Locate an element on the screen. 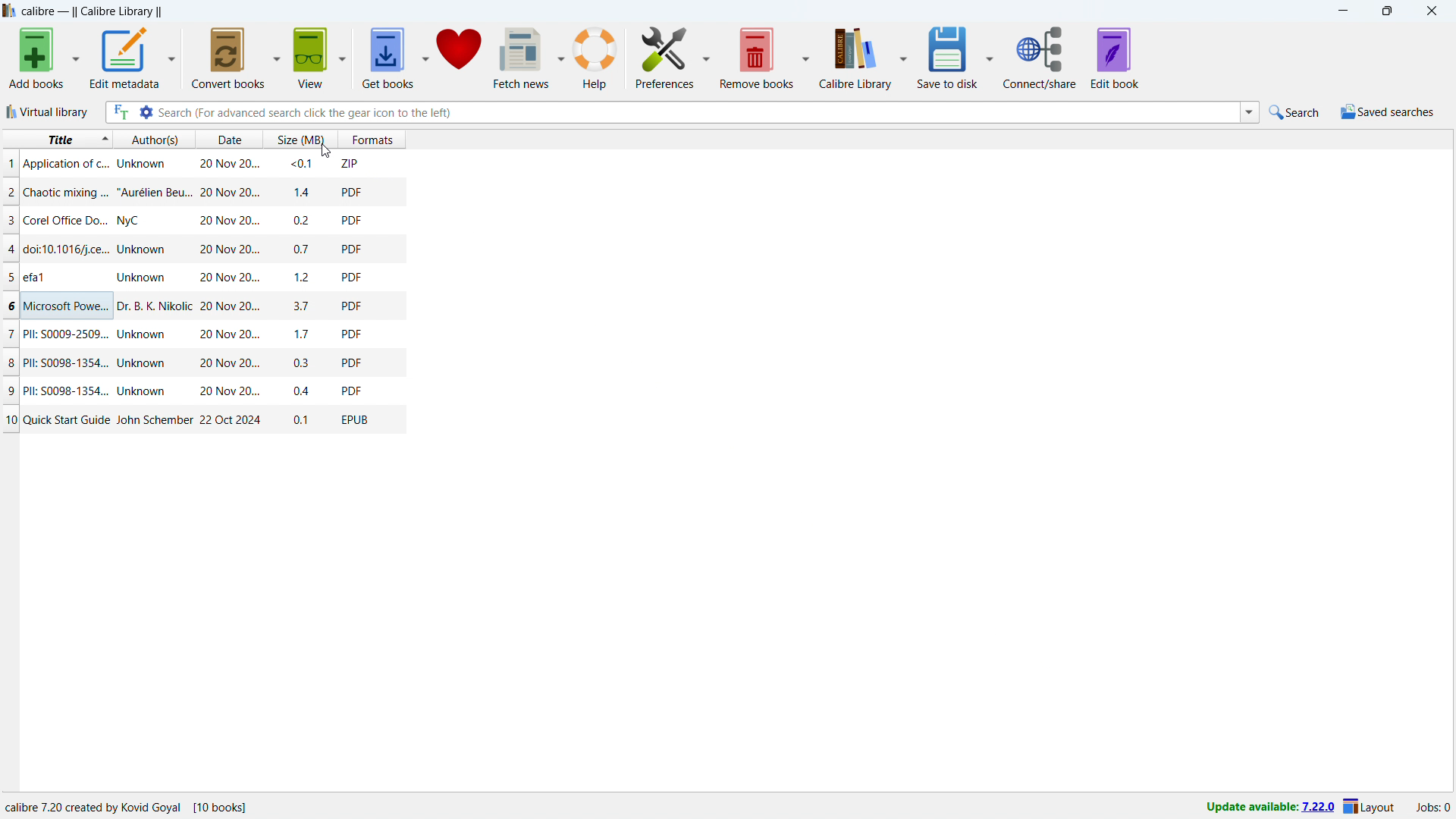 Image resolution: width=1456 pixels, height=819 pixels. title is located at coordinates (67, 248).